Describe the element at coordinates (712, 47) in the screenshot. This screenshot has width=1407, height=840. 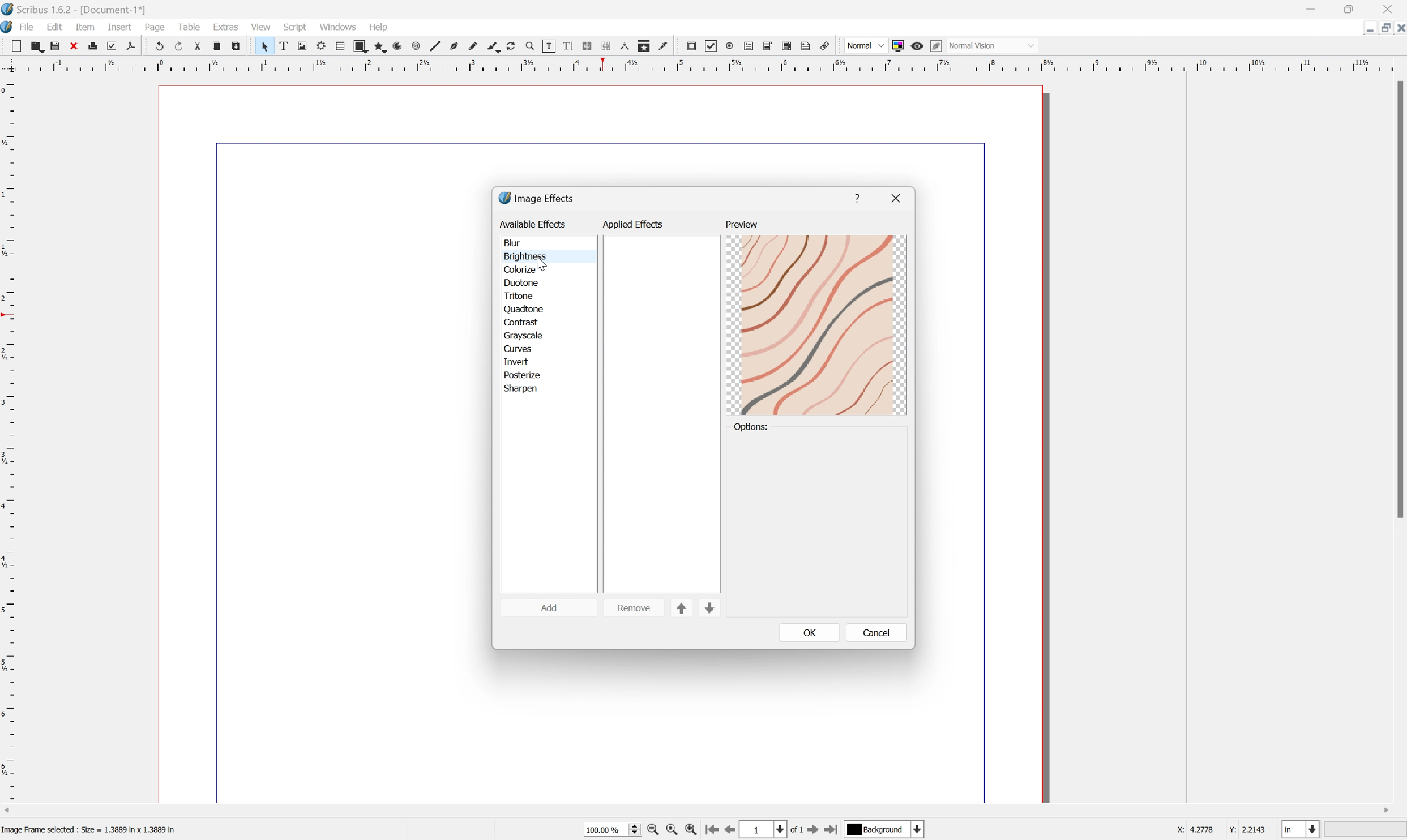
I see `PDF checkbox` at that location.